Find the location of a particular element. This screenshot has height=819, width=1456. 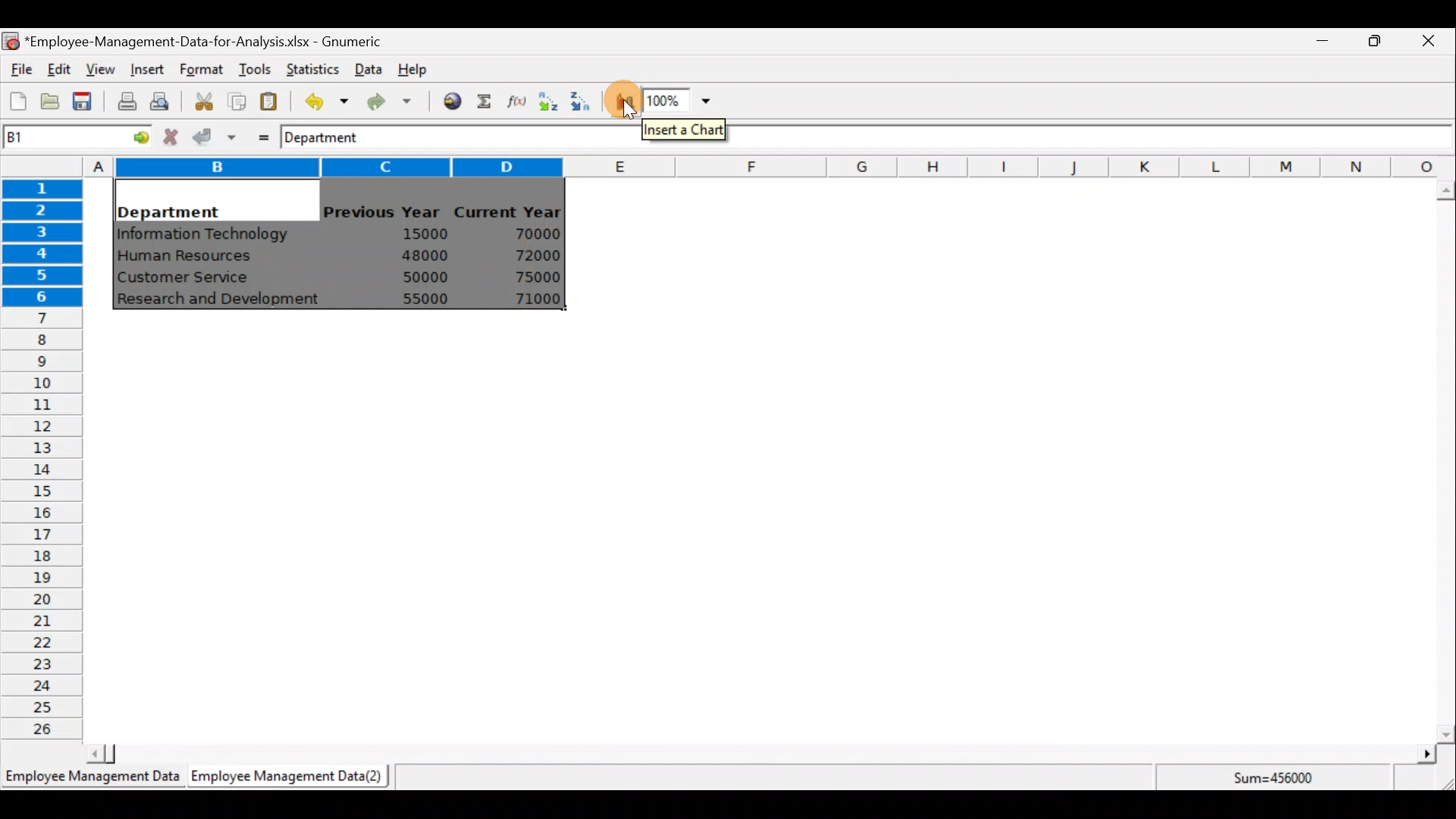

Create a new workbook is located at coordinates (18, 101).